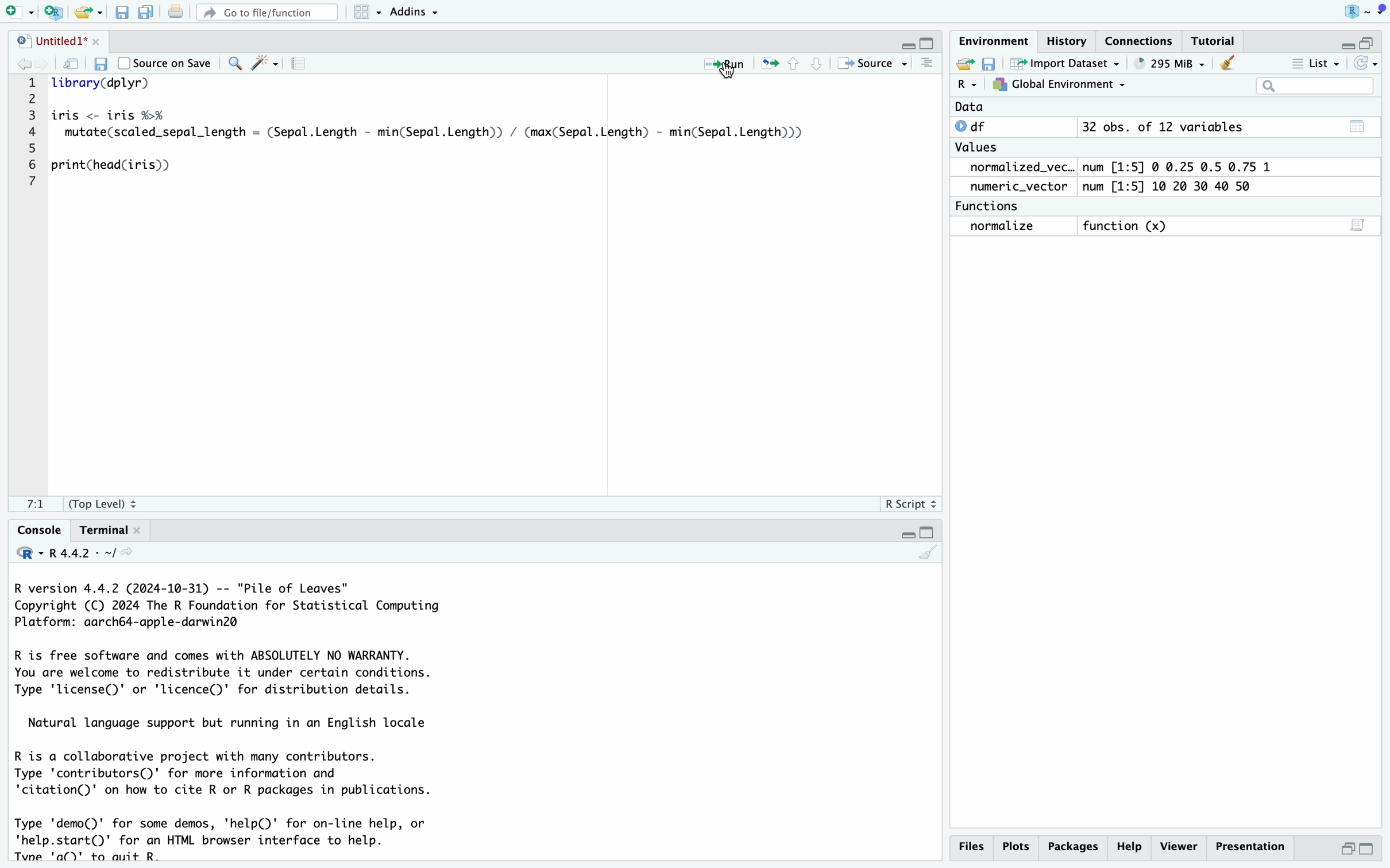 This screenshot has width=1390, height=868. What do you see at coordinates (910, 503) in the screenshot?
I see `R Script` at bounding box center [910, 503].